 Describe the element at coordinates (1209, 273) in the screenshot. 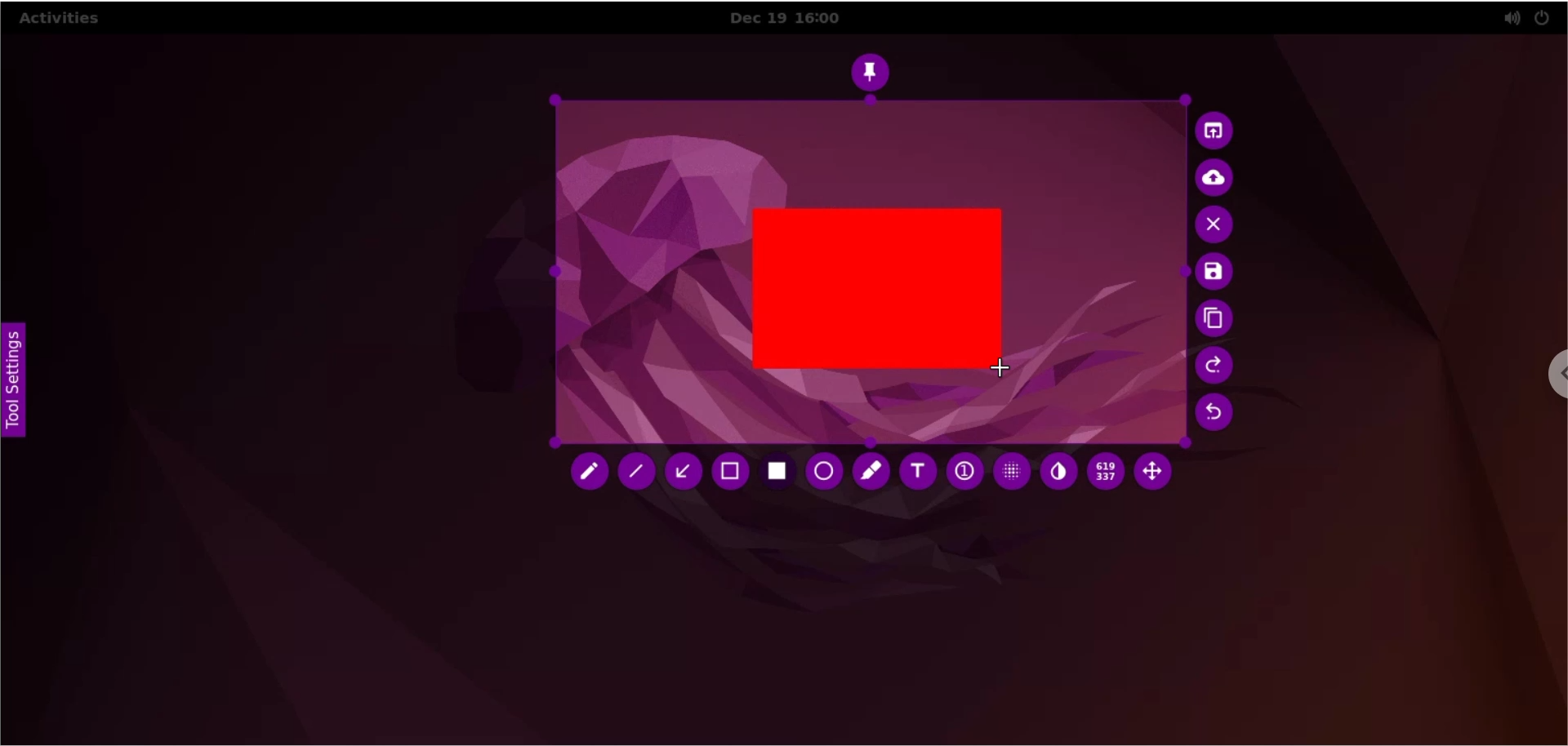

I see `save` at that location.